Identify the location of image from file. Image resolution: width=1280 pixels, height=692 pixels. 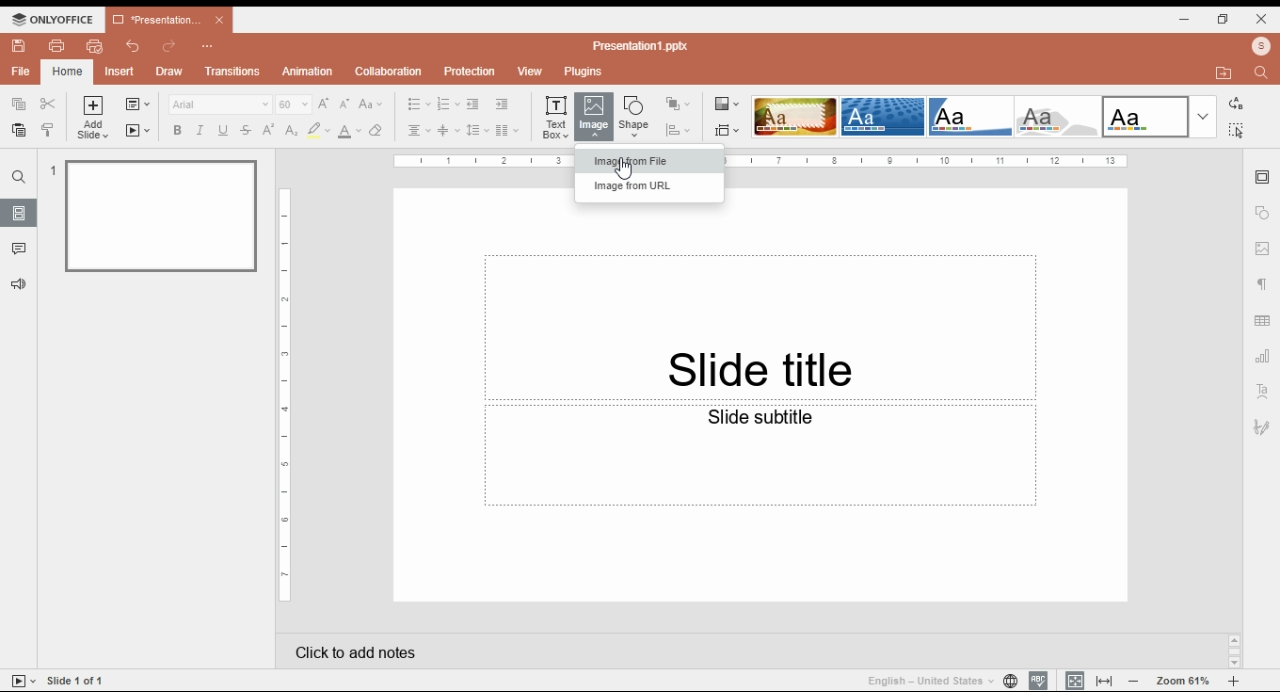
(646, 160).